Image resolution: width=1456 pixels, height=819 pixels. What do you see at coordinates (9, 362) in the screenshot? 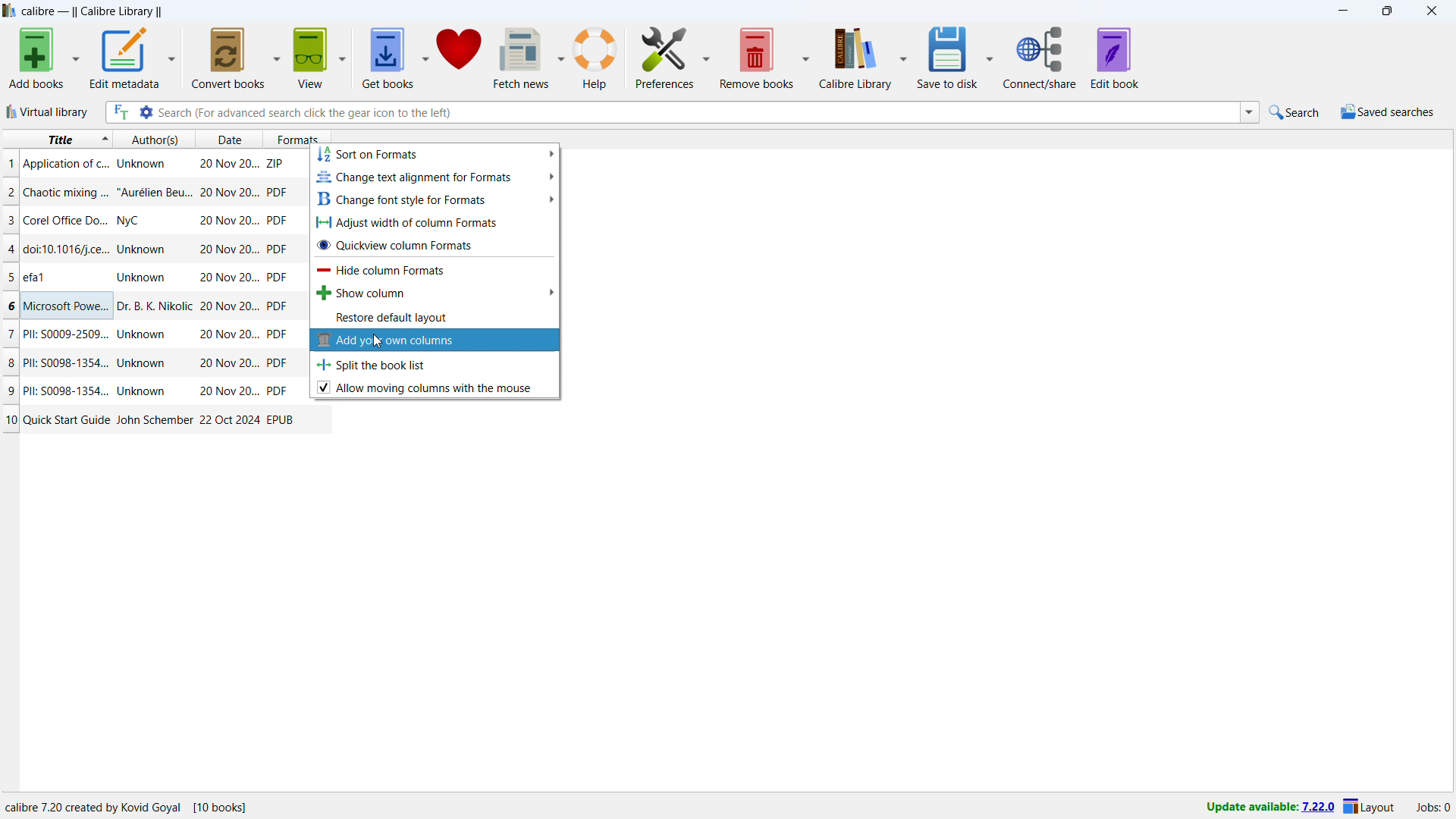
I see `8` at bounding box center [9, 362].